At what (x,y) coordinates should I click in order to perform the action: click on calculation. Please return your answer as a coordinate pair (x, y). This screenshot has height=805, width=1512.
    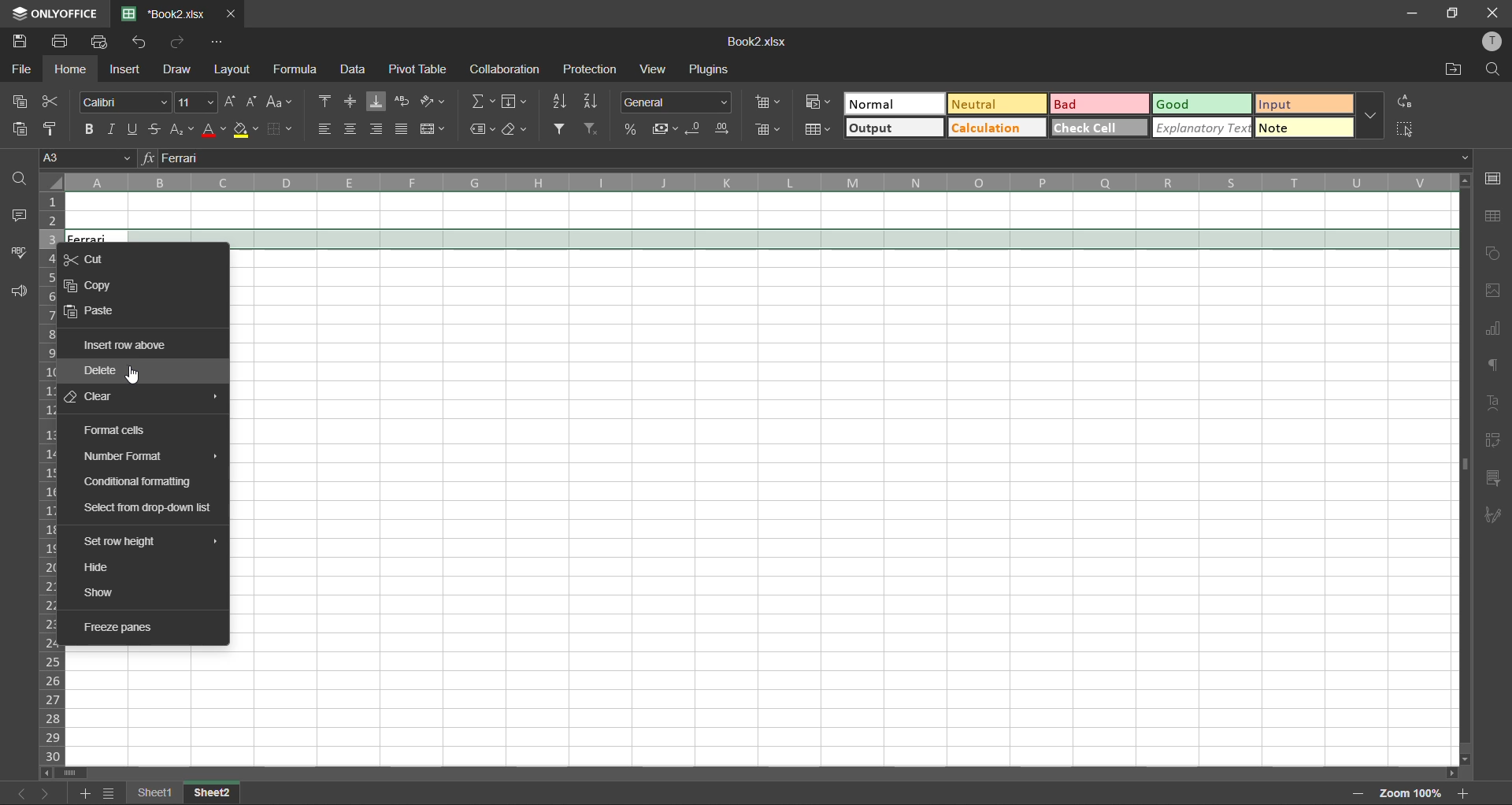
    Looking at the image, I should click on (1000, 127).